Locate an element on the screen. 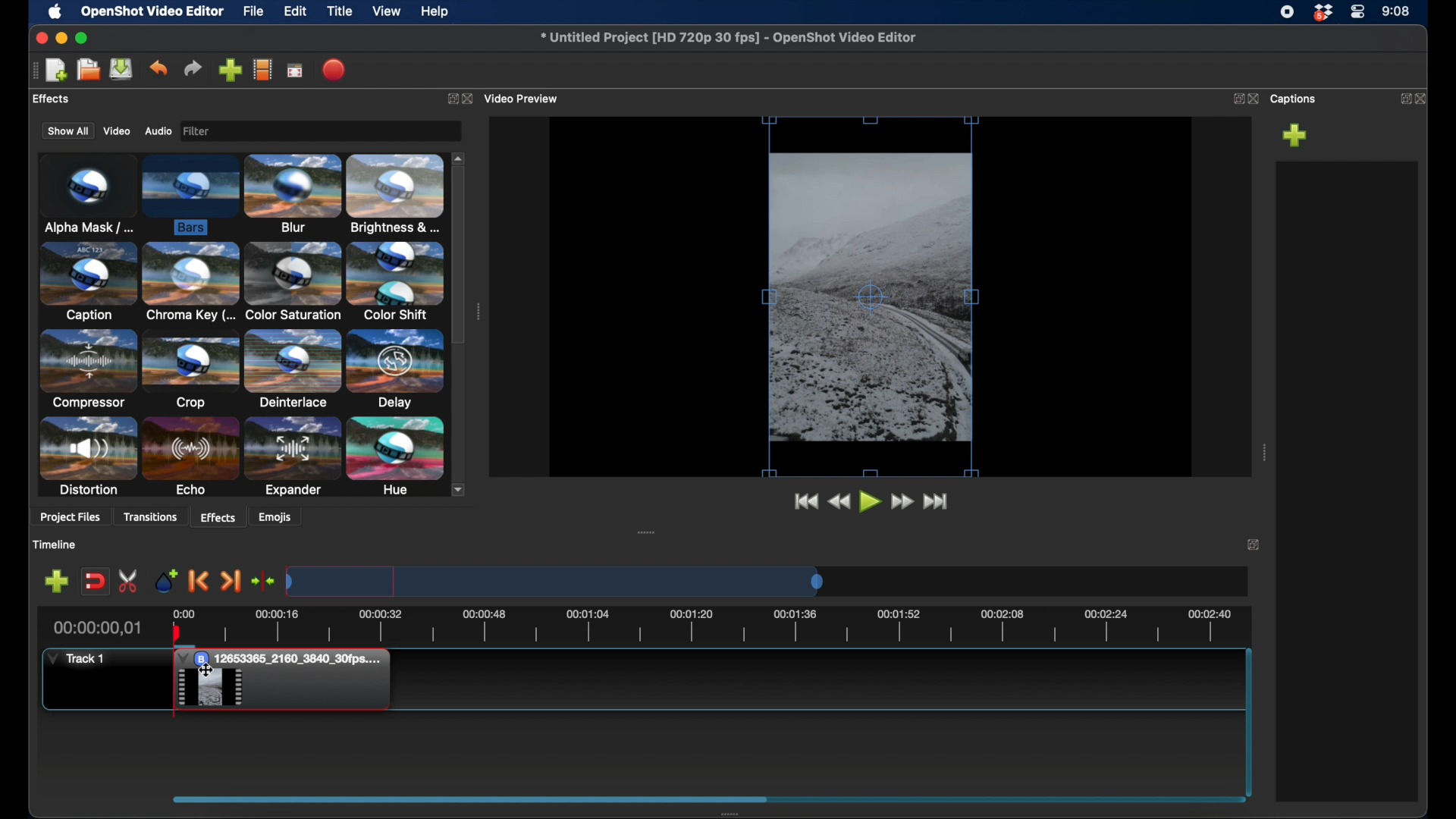  drag handle is located at coordinates (478, 312).